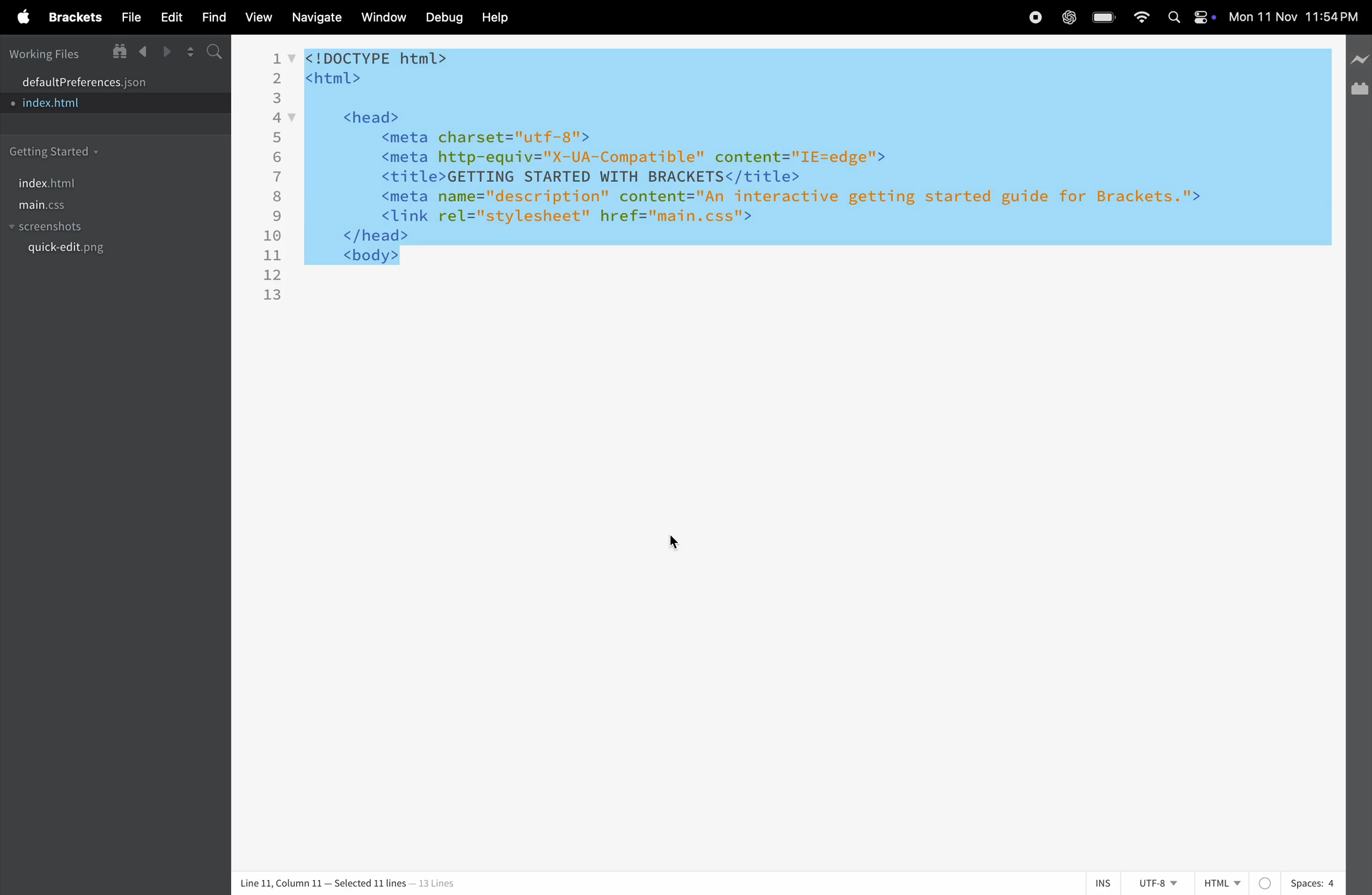 This screenshot has height=895, width=1372. What do you see at coordinates (105, 80) in the screenshot?
I see `default program` at bounding box center [105, 80].